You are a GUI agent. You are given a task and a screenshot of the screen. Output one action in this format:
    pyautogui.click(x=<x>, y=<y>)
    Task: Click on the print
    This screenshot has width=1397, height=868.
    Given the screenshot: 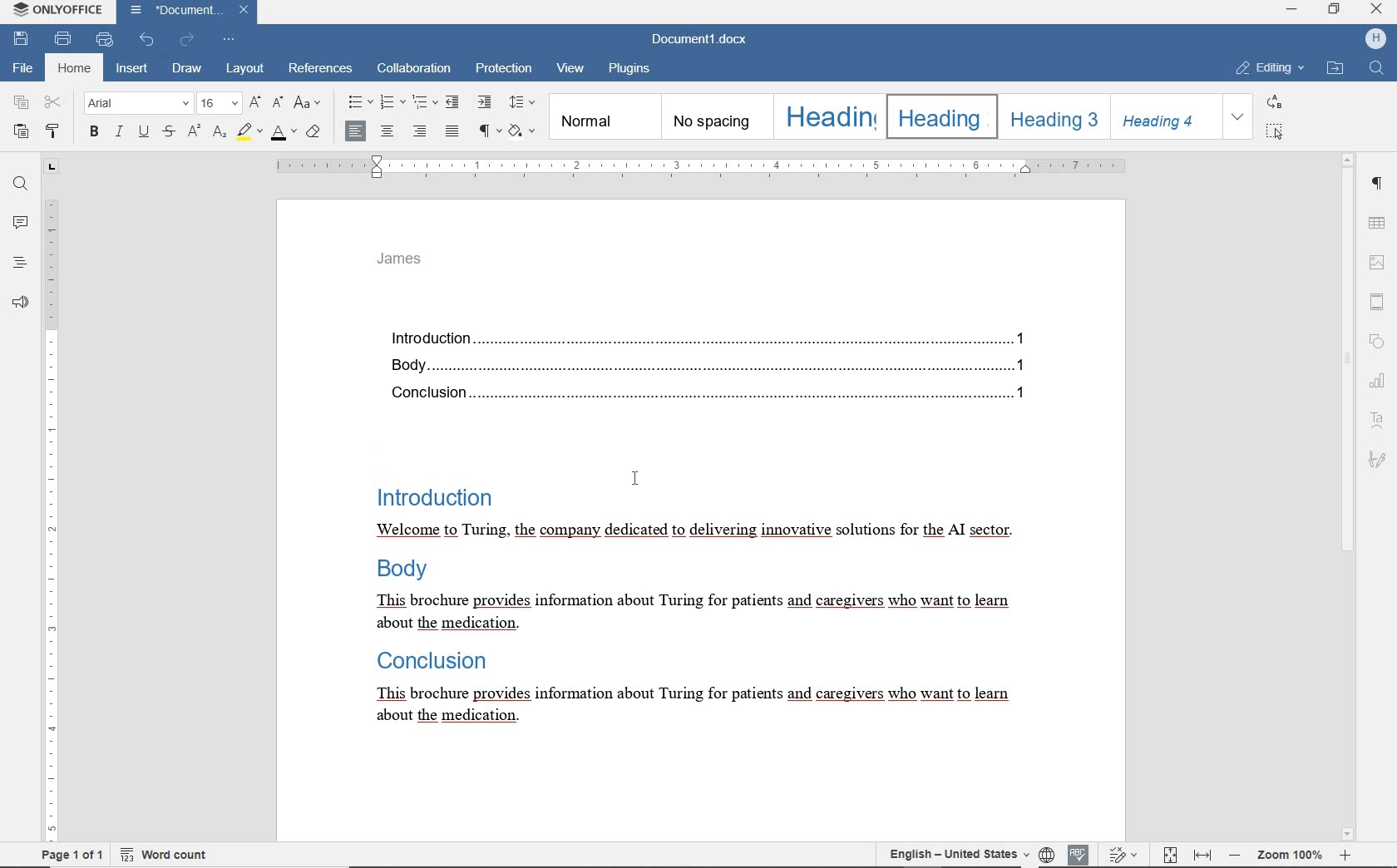 What is the action you would take?
    pyautogui.click(x=65, y=38)
    